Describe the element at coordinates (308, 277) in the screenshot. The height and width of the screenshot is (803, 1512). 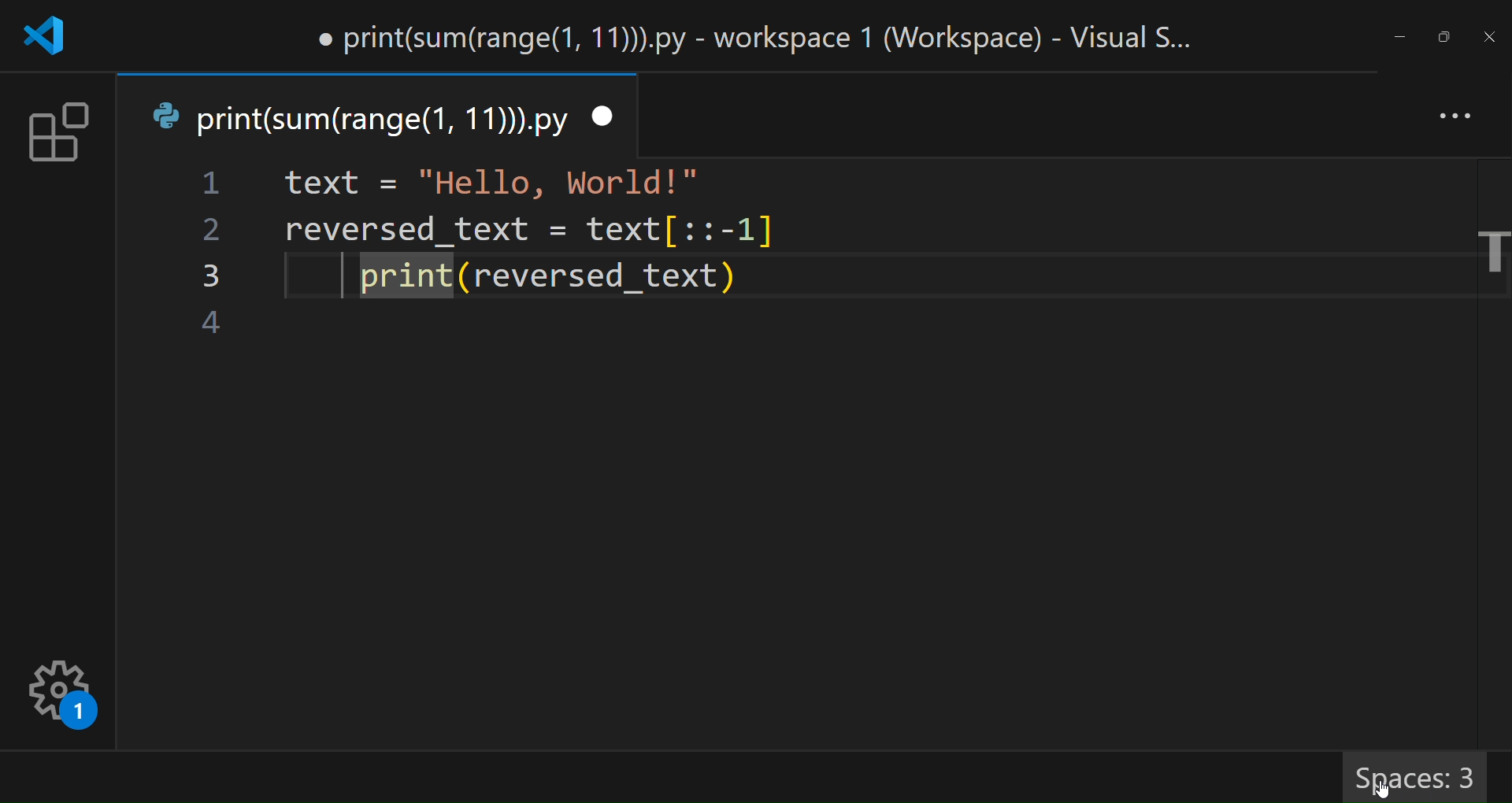
I see `indentation changed to 3` at that location.